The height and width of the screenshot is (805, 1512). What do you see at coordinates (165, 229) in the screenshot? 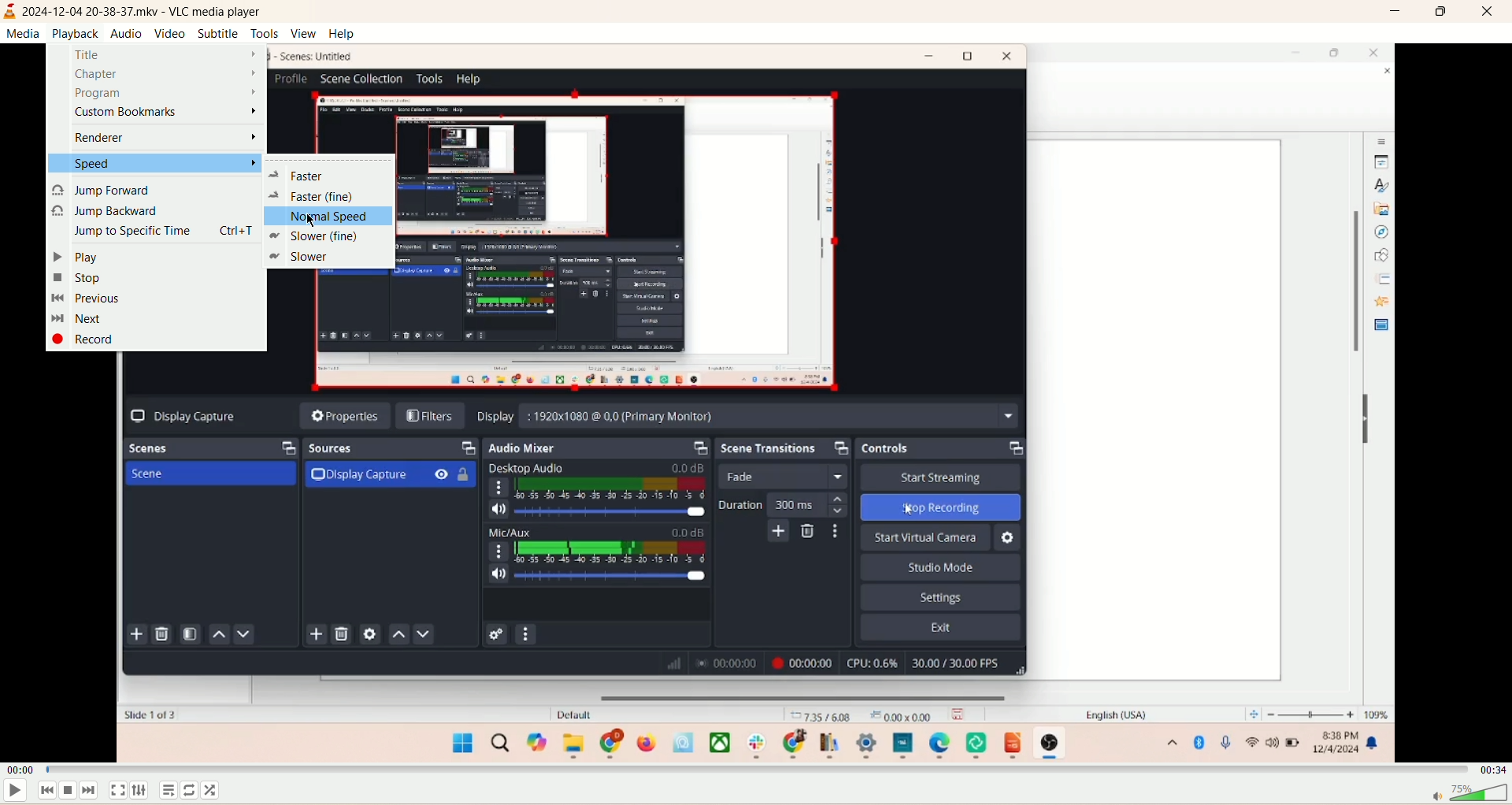
I see `jump to specific time` at bounding box center [165, 229].